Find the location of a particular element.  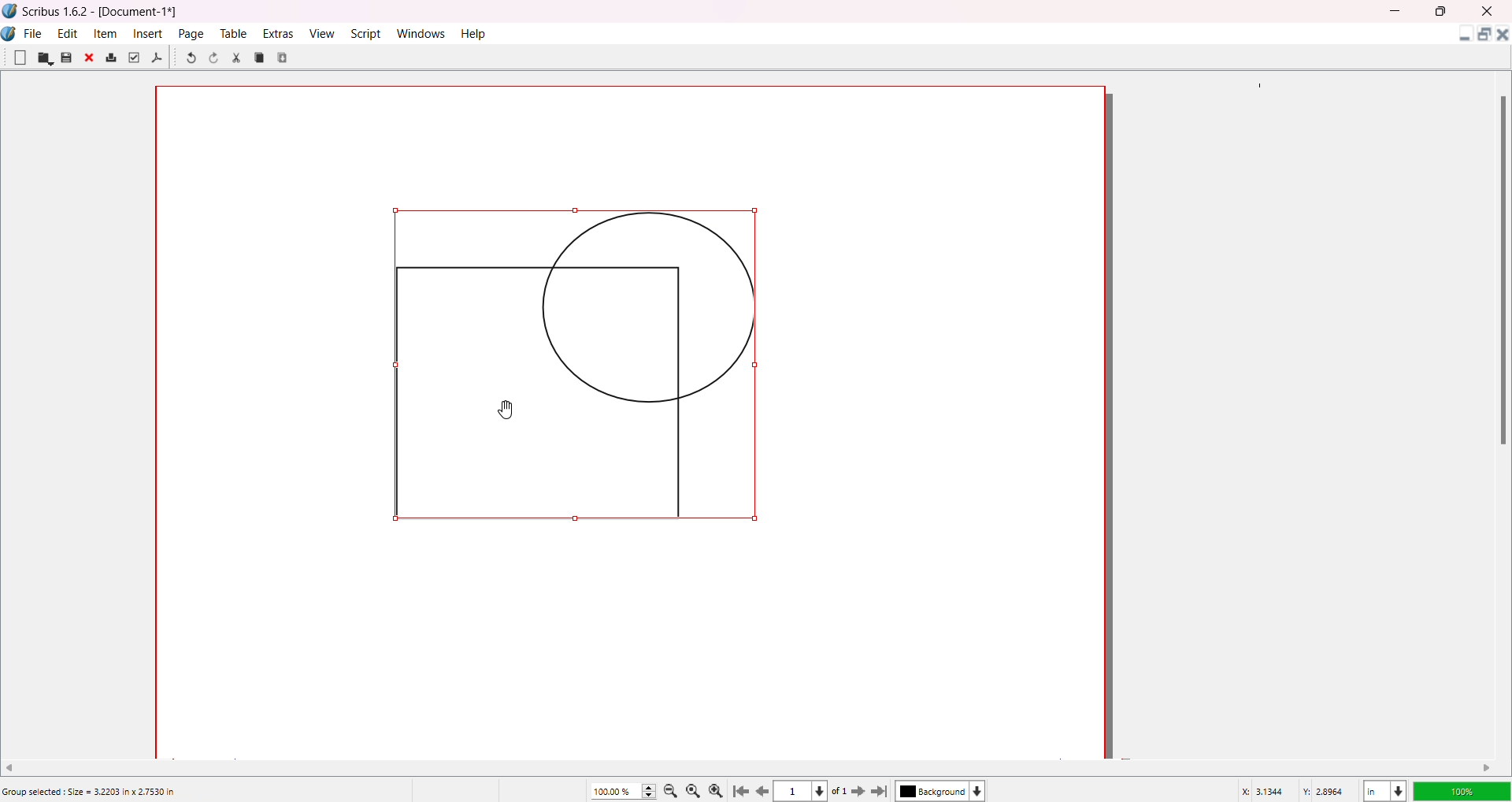

Logo is located at coordinates (10, 11).